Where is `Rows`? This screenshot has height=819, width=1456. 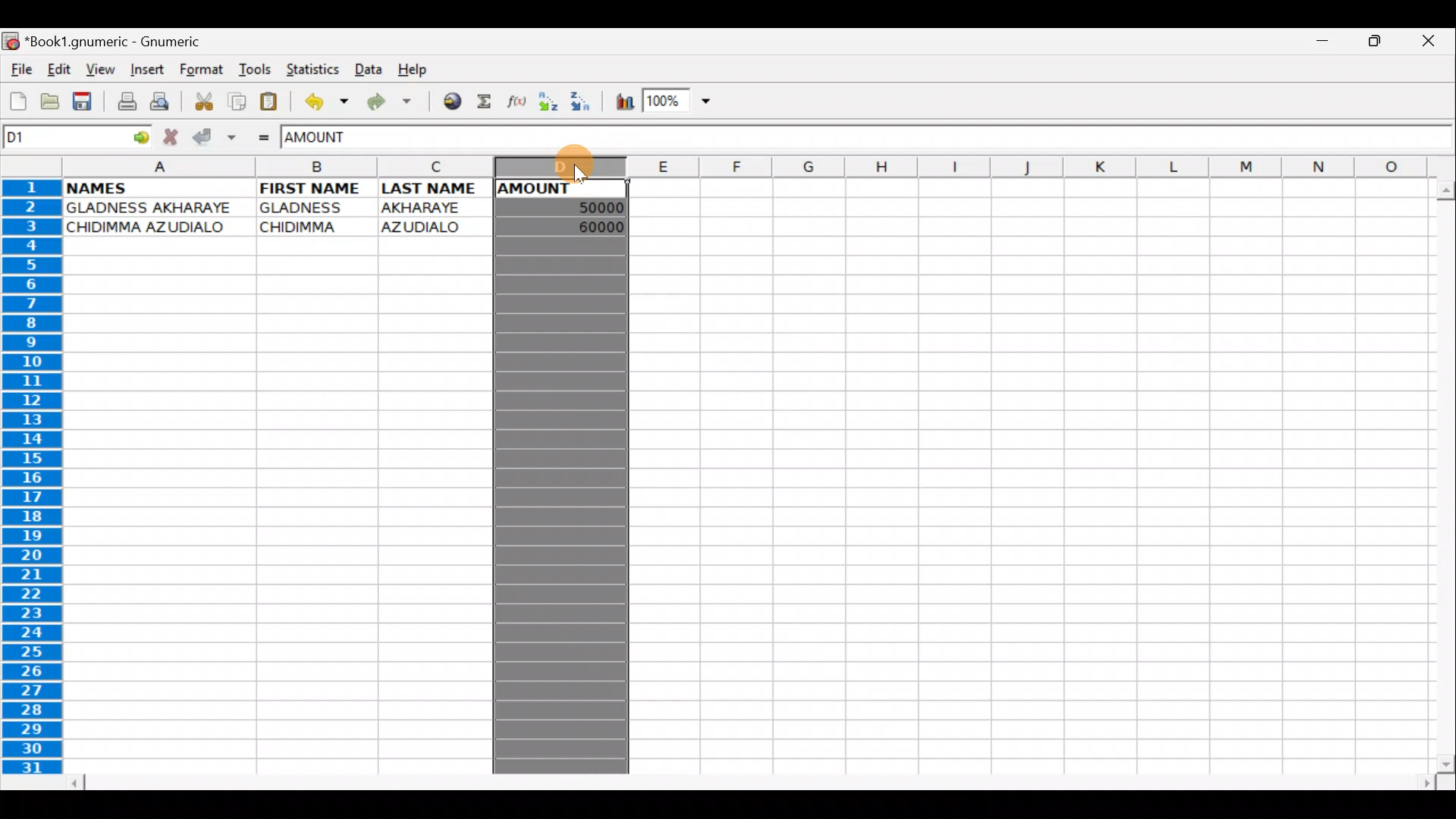 Rows is located at coordinates (33, 480).